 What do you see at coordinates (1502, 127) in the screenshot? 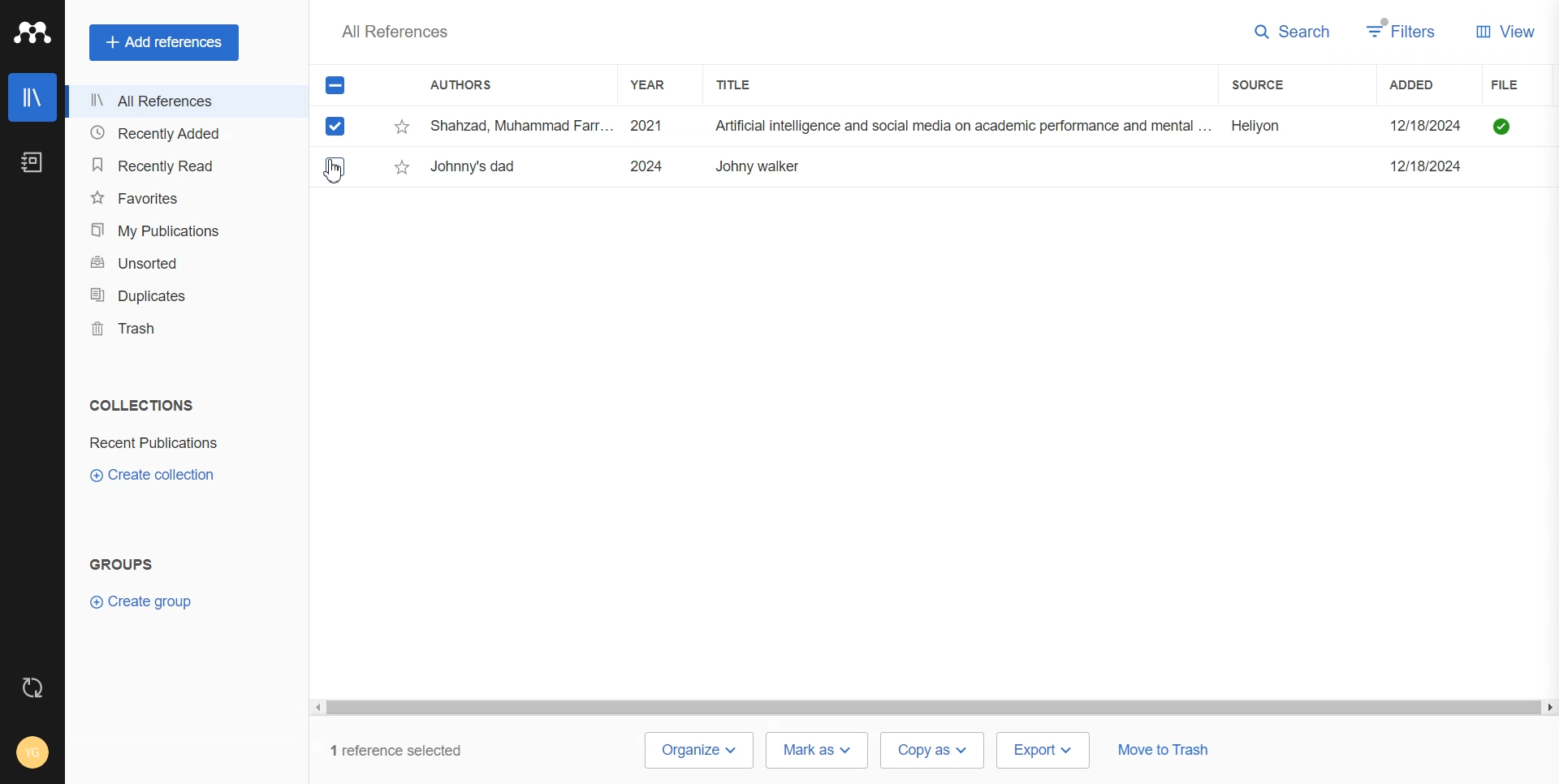
I see `file available` at bounding box center [1502, 127].